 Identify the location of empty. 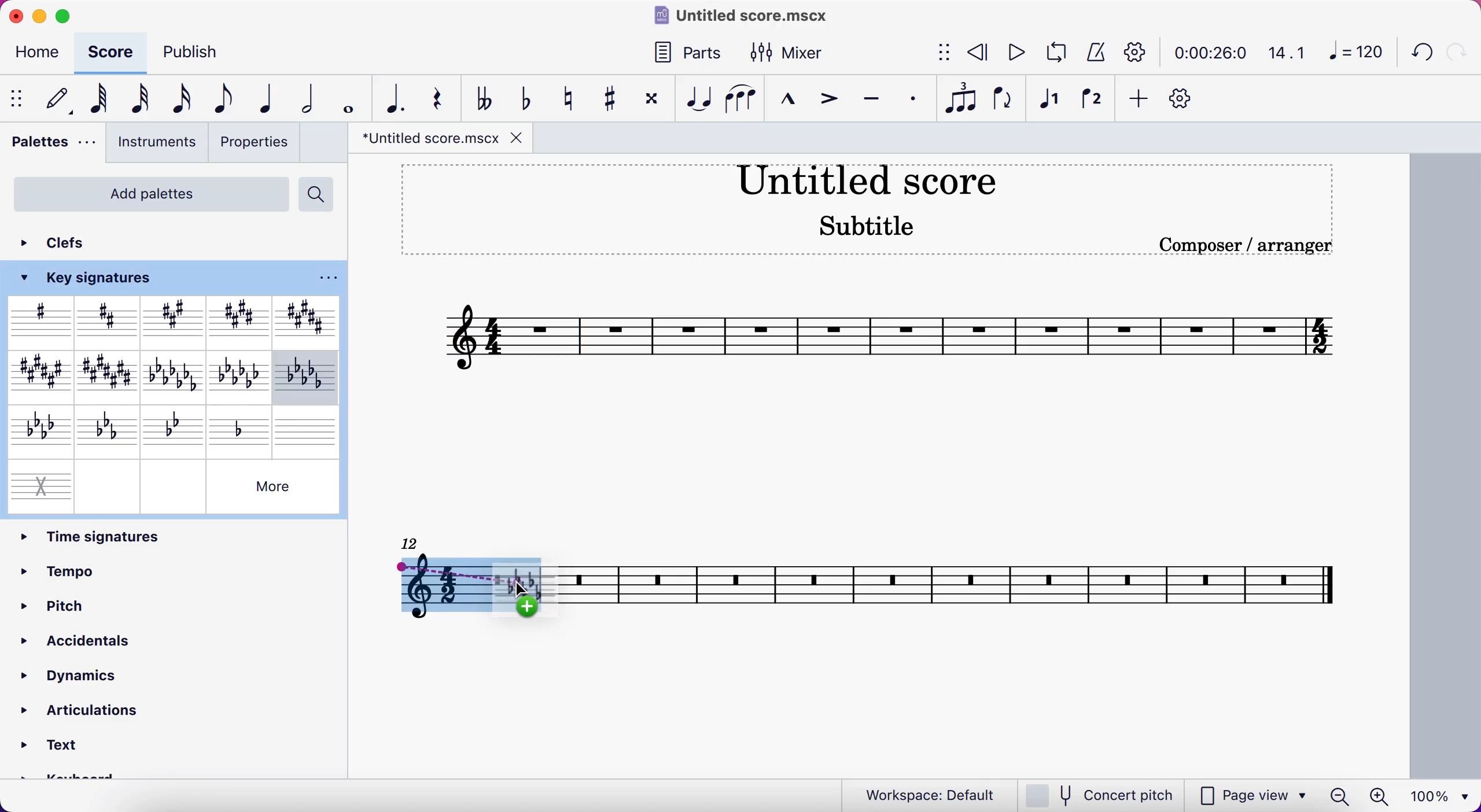
(109, 485).